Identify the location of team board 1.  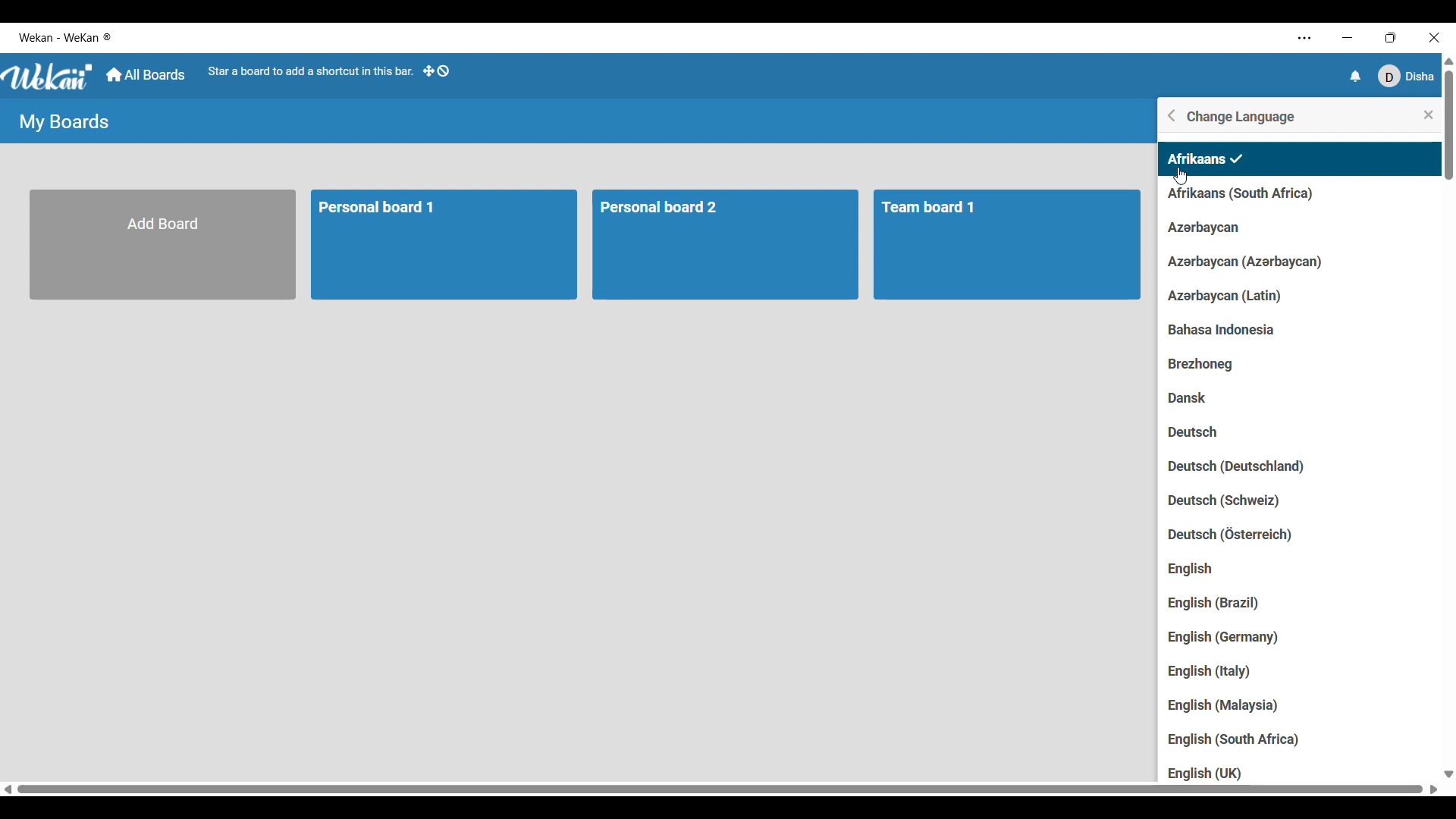
(1010, 246).